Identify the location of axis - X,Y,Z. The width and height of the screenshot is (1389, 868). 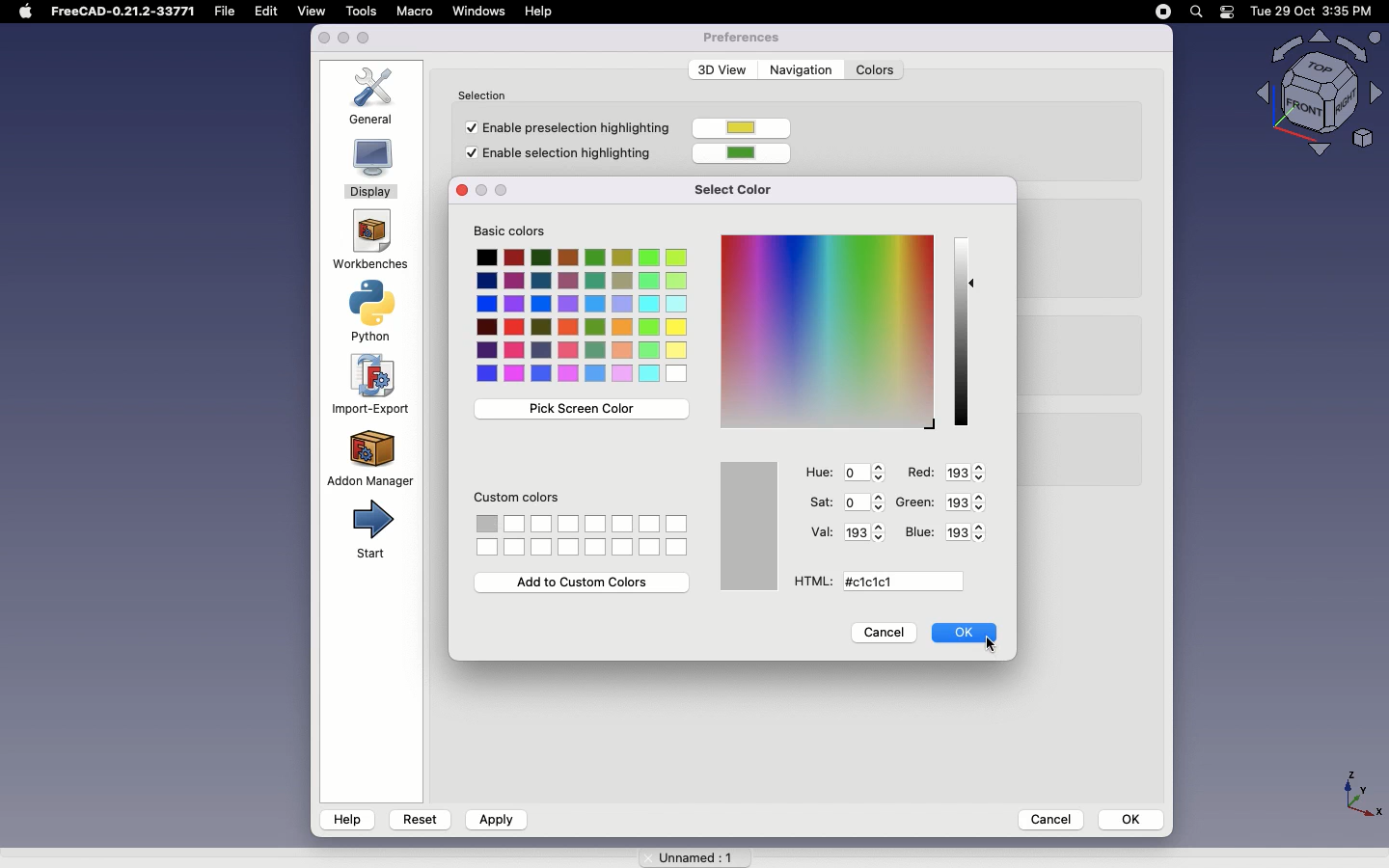
(1359, 791).